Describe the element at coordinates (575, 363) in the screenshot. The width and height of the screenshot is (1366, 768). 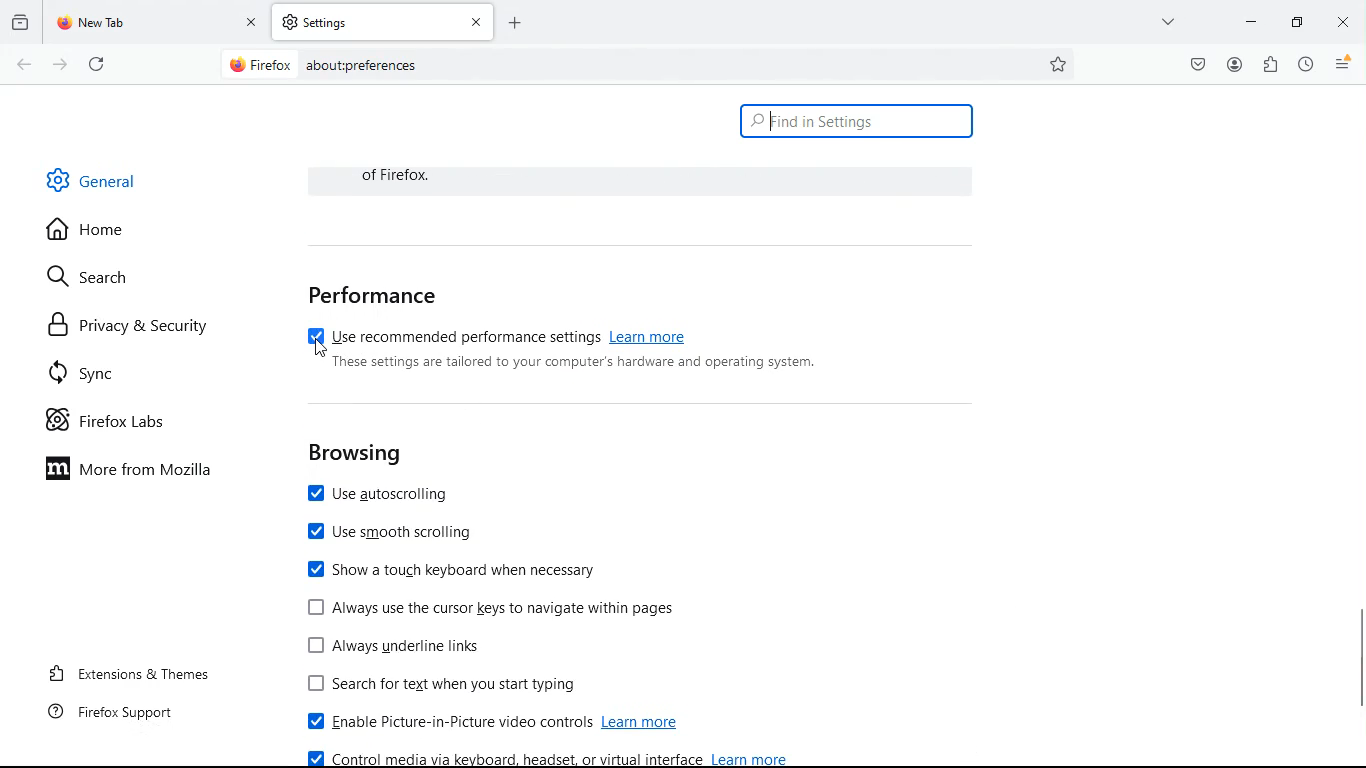
I see `These settings are tailored to your computer's hardware and operating system.` at that location.